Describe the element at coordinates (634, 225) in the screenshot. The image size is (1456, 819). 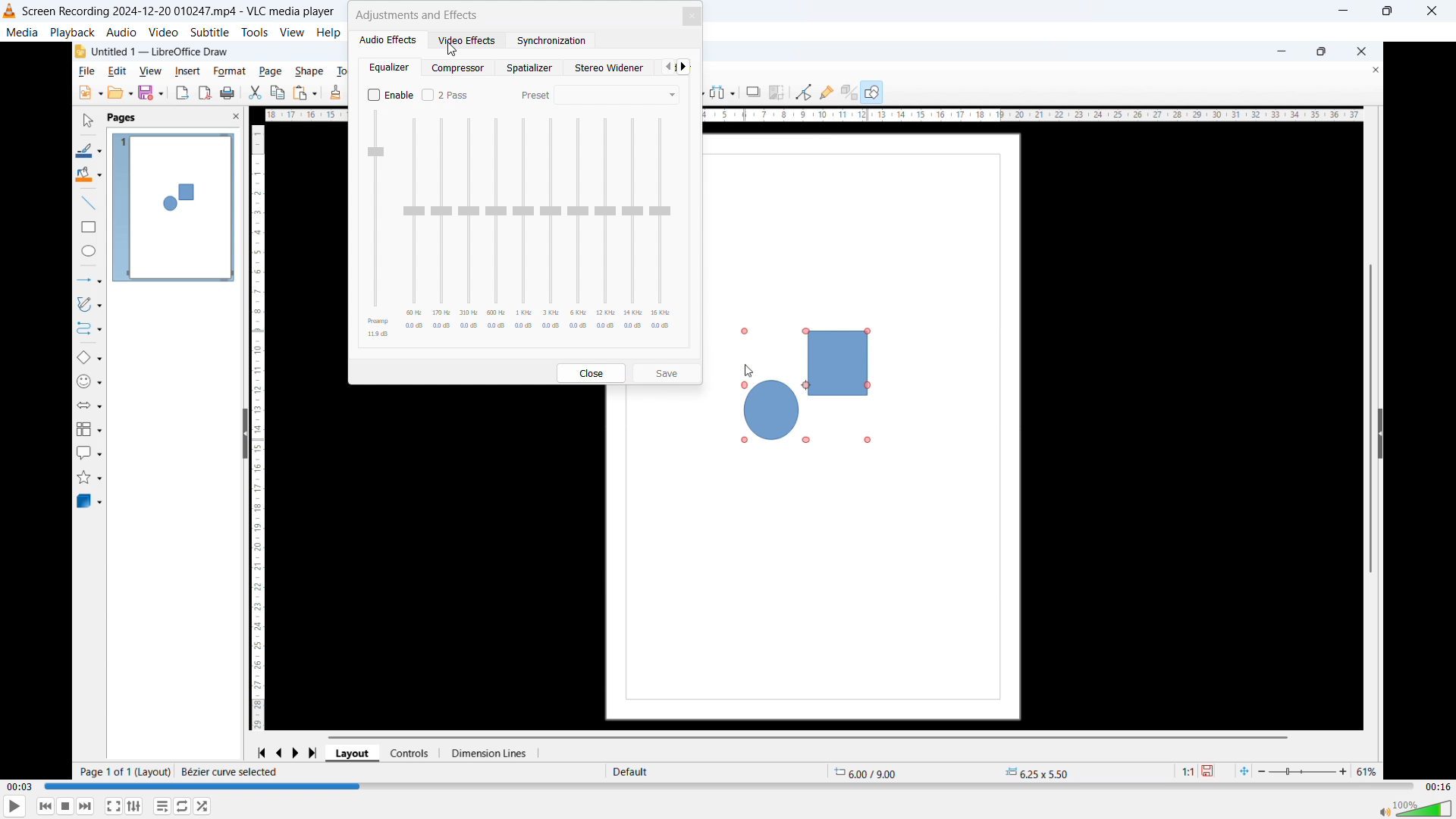
I see `14 kilohertz controller ` at that location.